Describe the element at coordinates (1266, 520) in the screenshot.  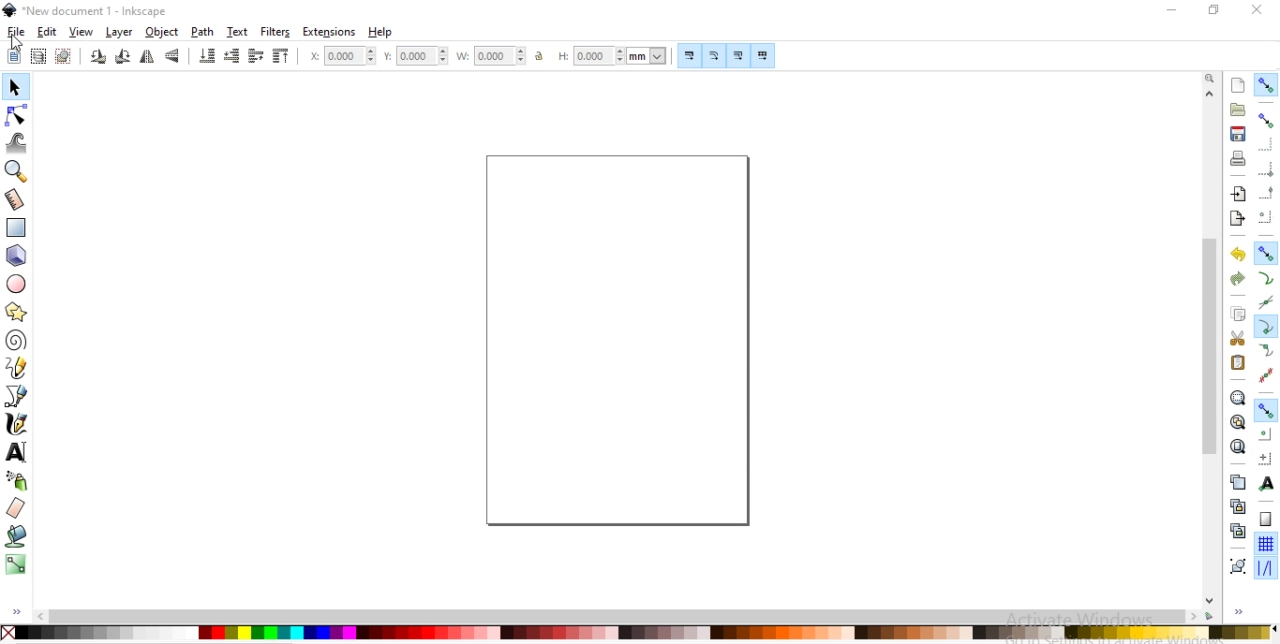
I see `snap to page border` at that location.